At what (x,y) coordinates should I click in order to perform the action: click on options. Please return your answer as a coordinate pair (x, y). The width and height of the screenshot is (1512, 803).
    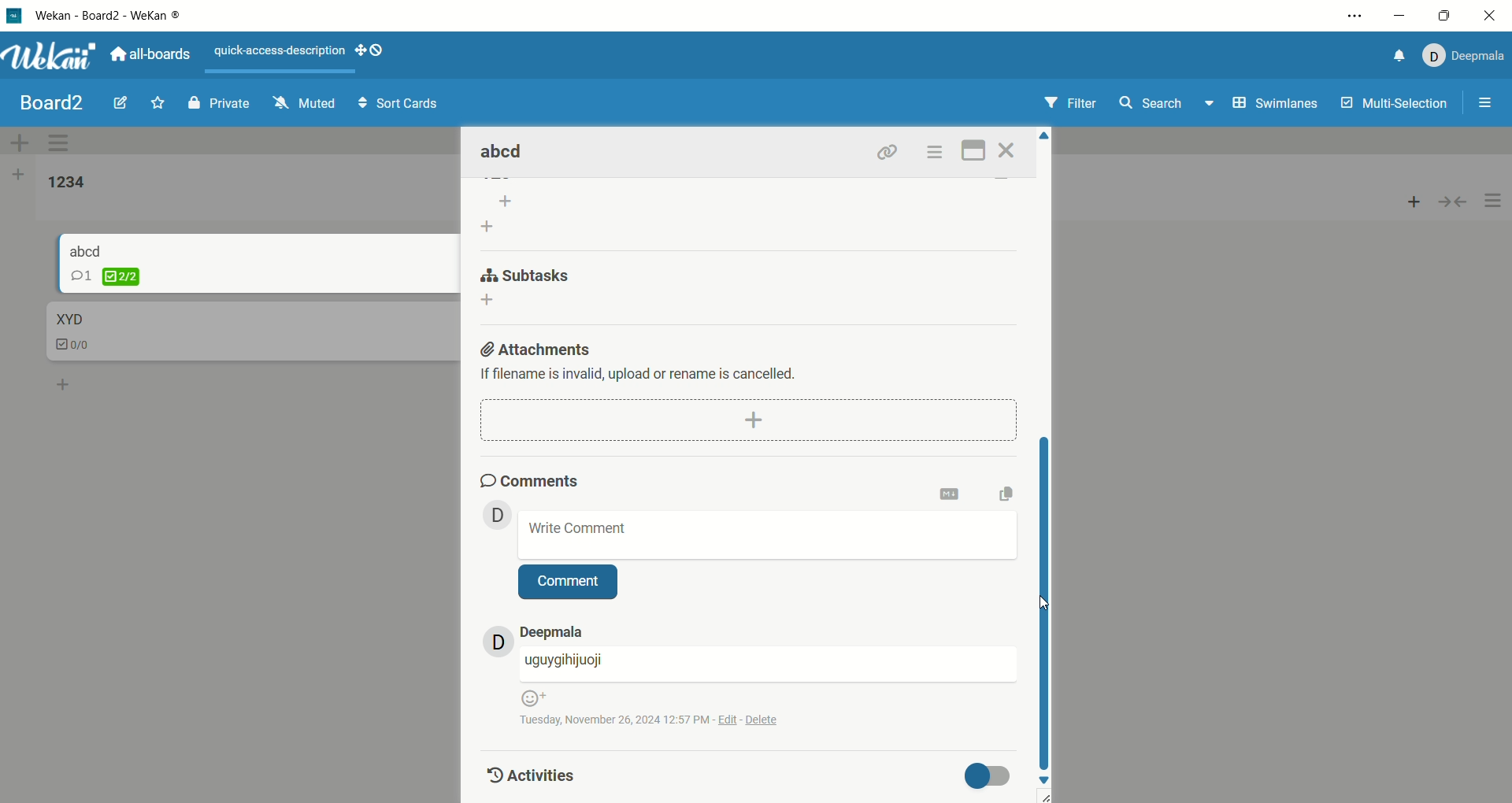
    Looking at the image, I should click on (1357, 16).